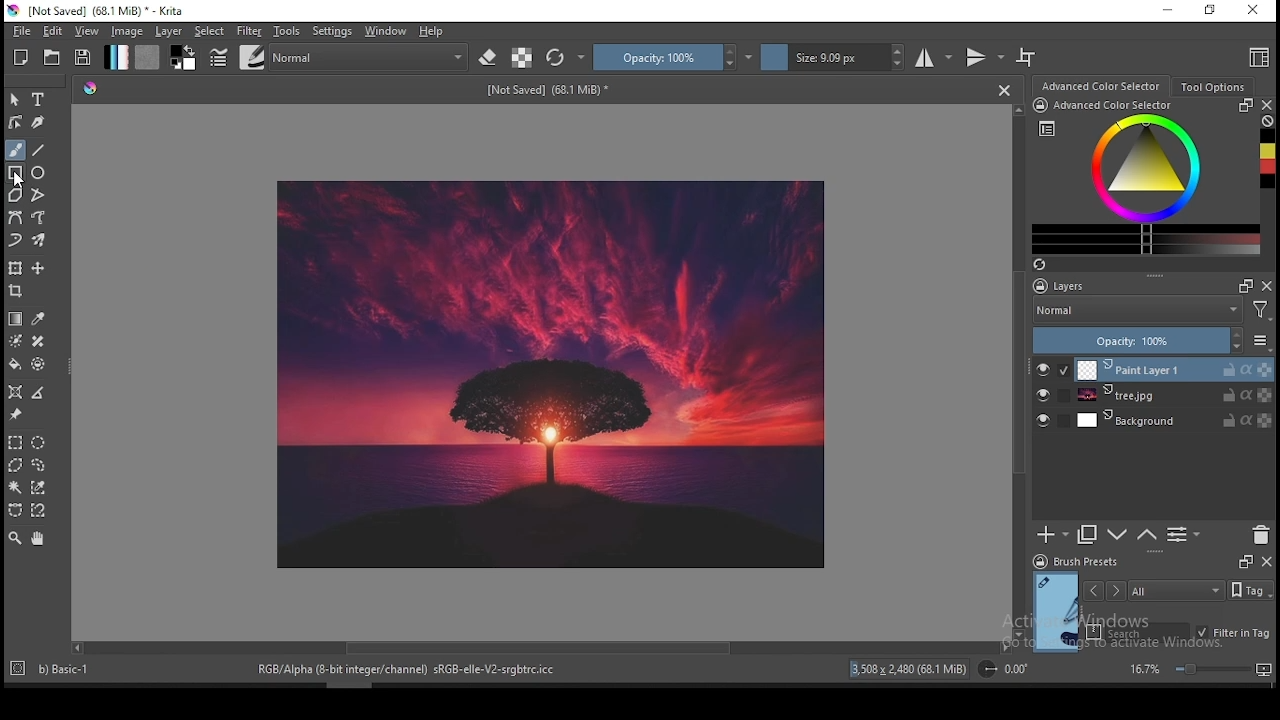 The image size is (1280, 720). I want to click on filter in tag, so click(1234, 631).